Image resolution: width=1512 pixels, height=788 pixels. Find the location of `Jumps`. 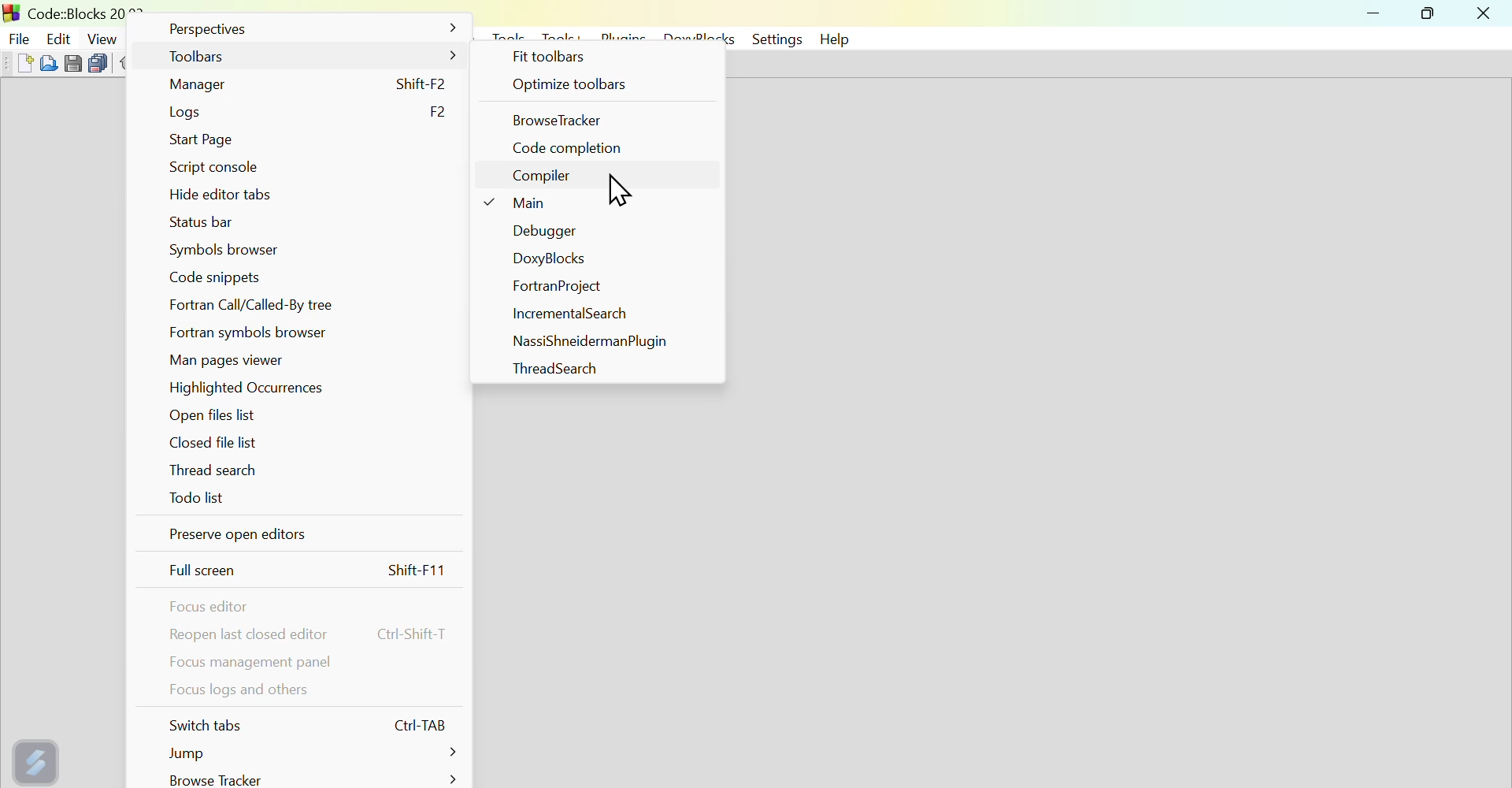

Jumps is located at coordinates (302, 753).